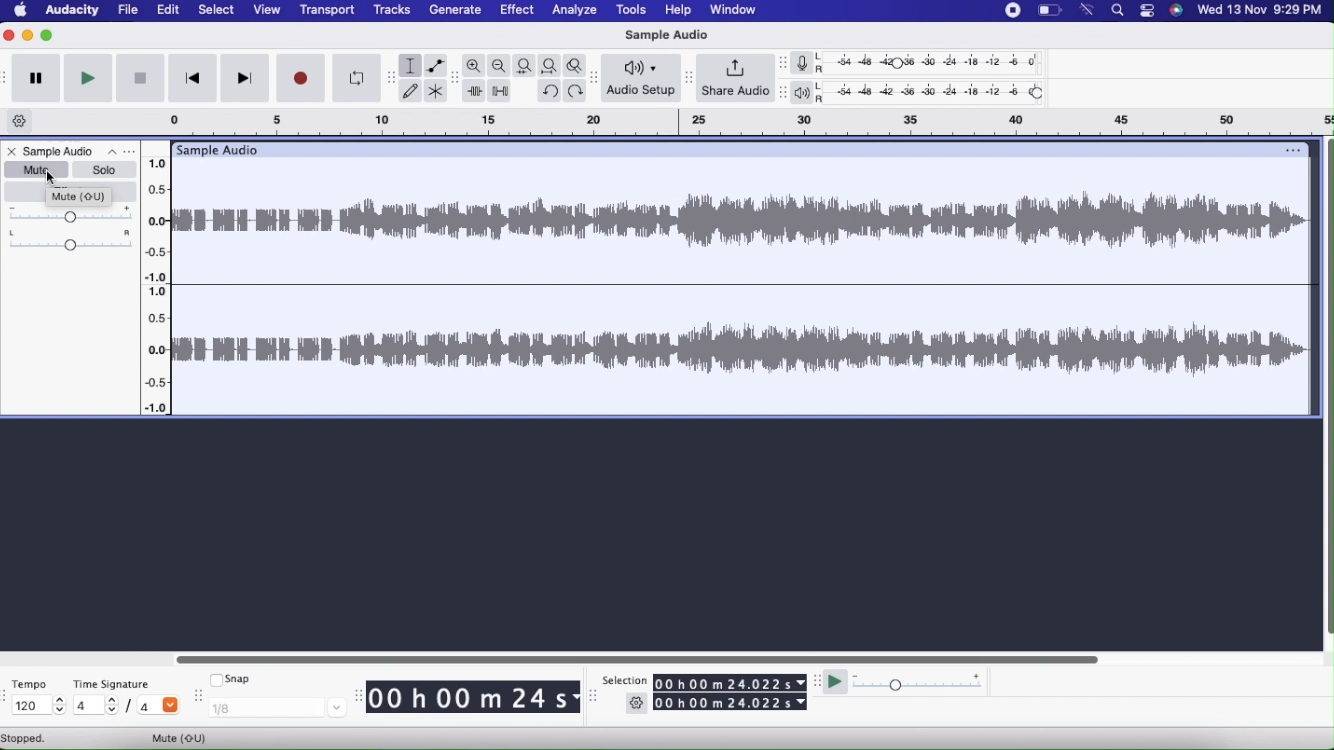  I want to click on Adjust, so click(390, 74).